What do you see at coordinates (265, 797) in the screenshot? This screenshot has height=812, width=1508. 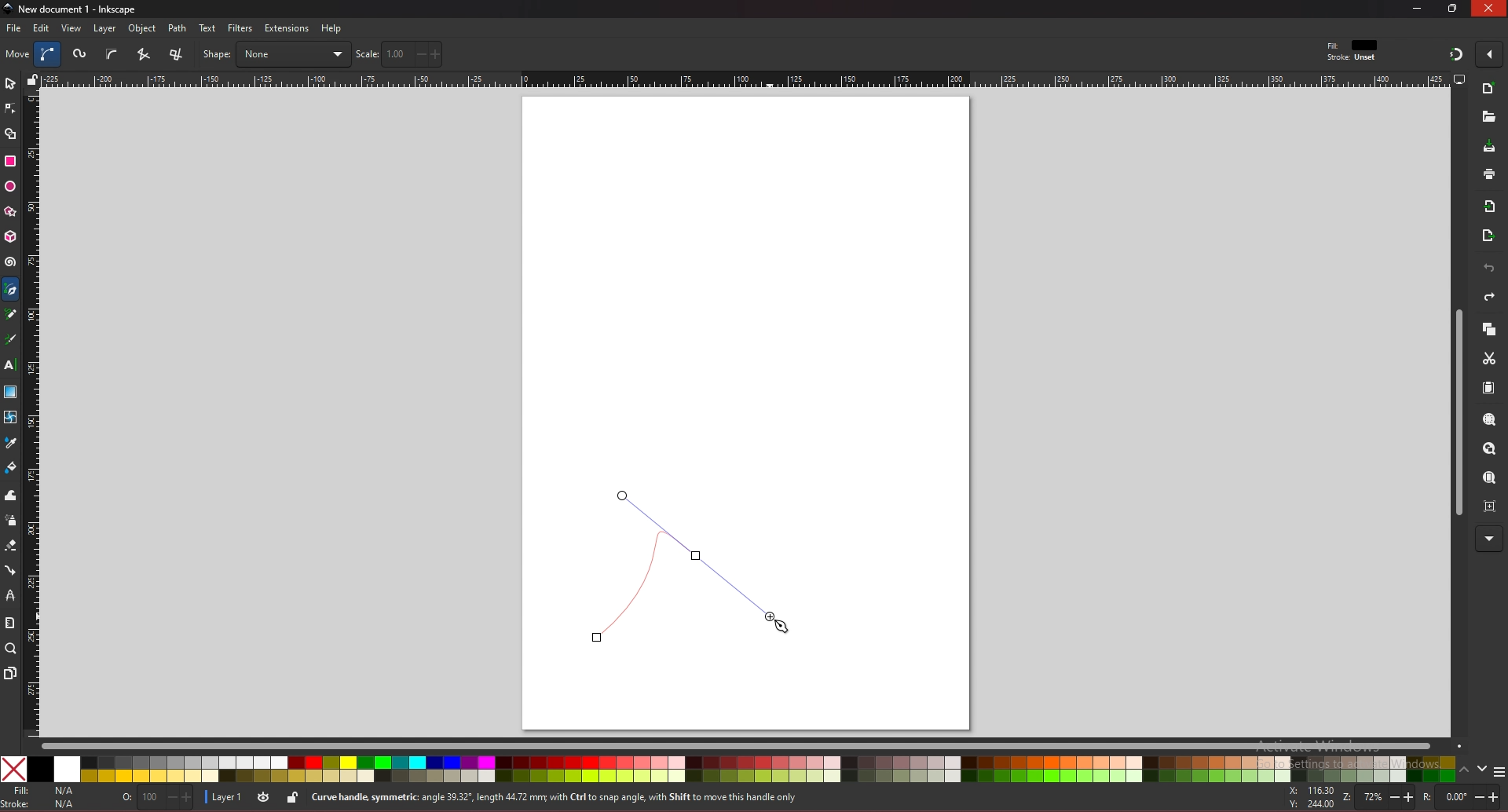 I see `toggle visibility` at bounding box center [265, 797].